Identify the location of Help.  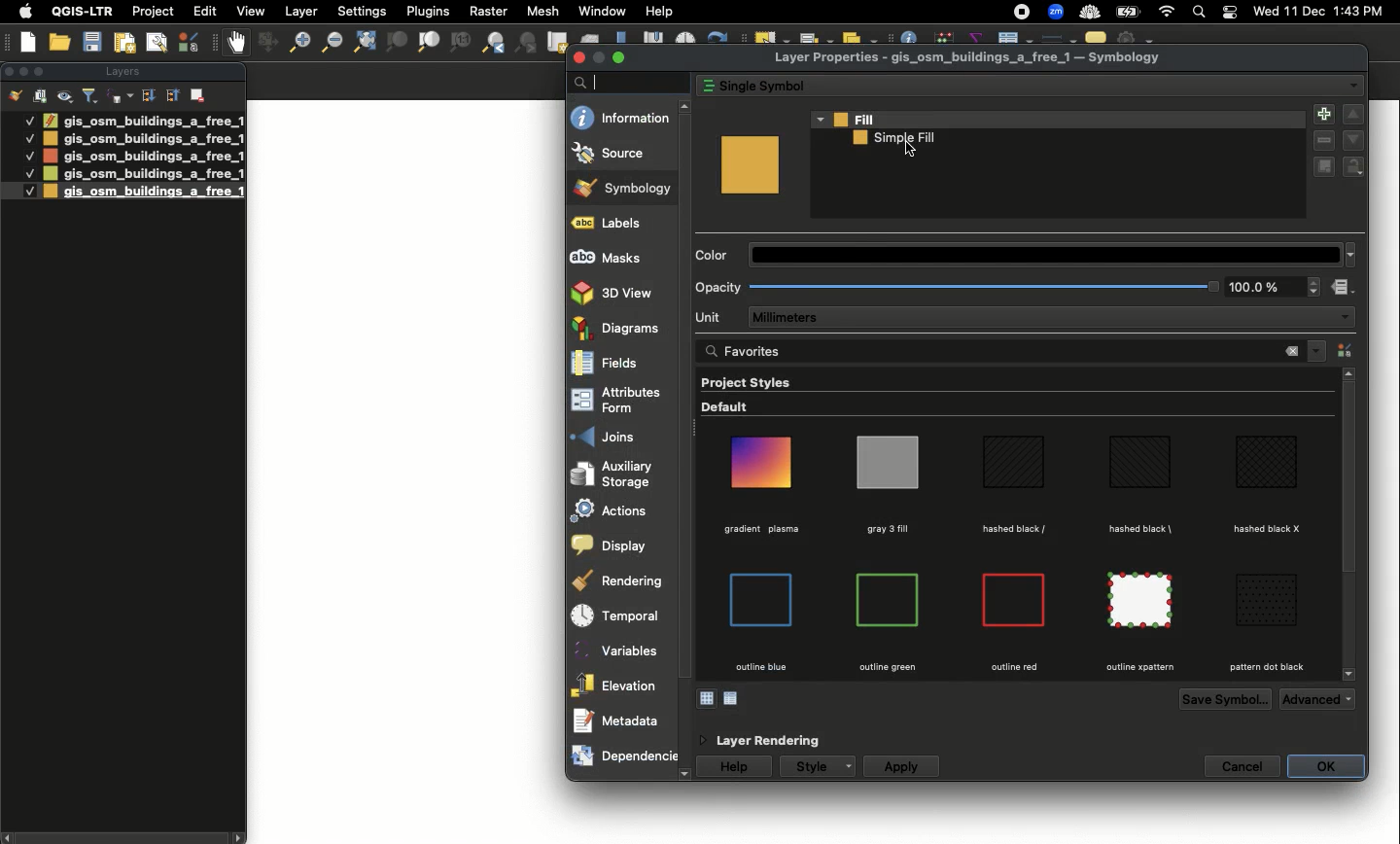
(659, 12).